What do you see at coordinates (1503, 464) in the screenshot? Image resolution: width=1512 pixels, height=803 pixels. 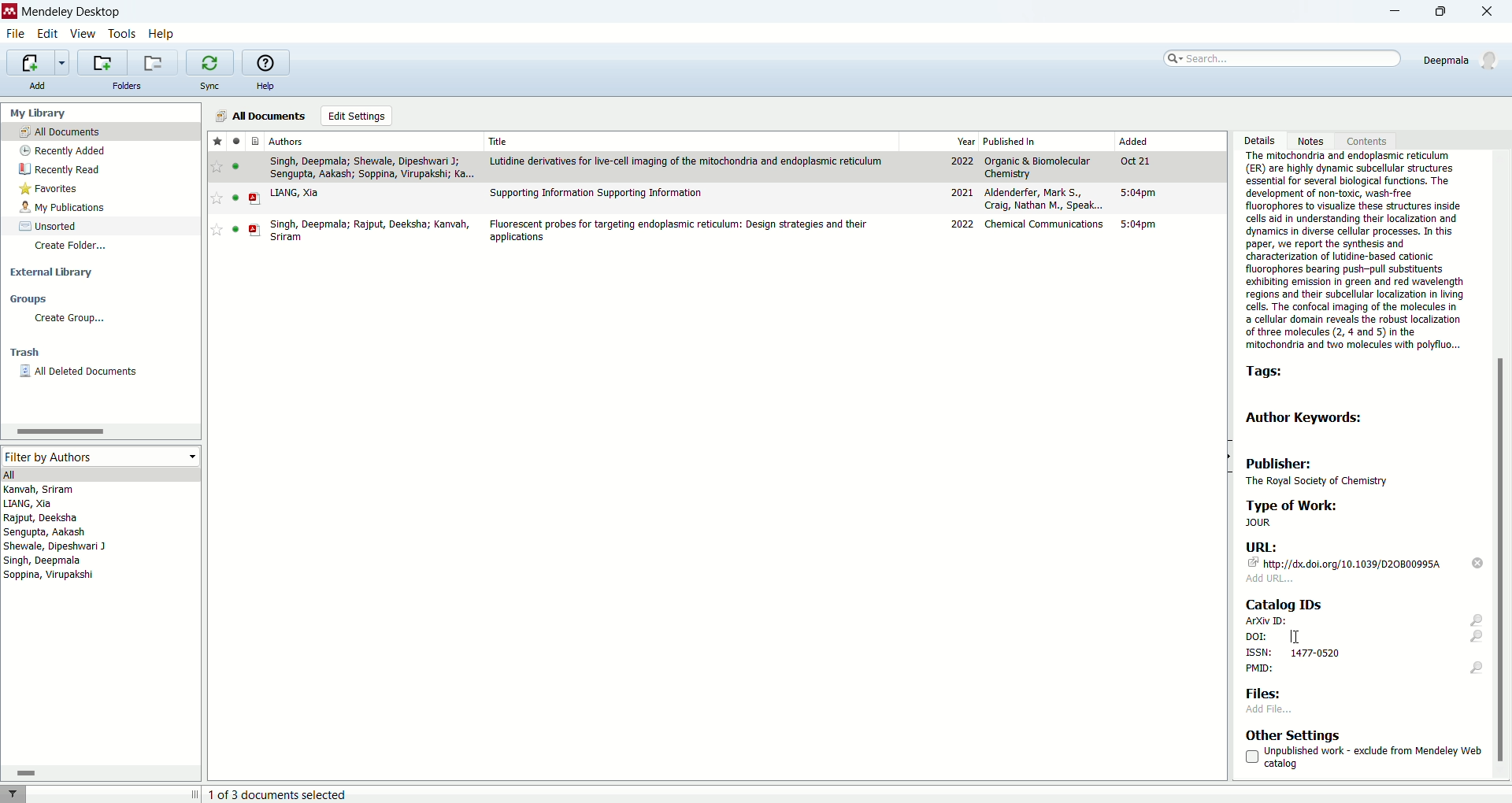 I see `vertical scroll bar` at bounding box center [1503, 464].